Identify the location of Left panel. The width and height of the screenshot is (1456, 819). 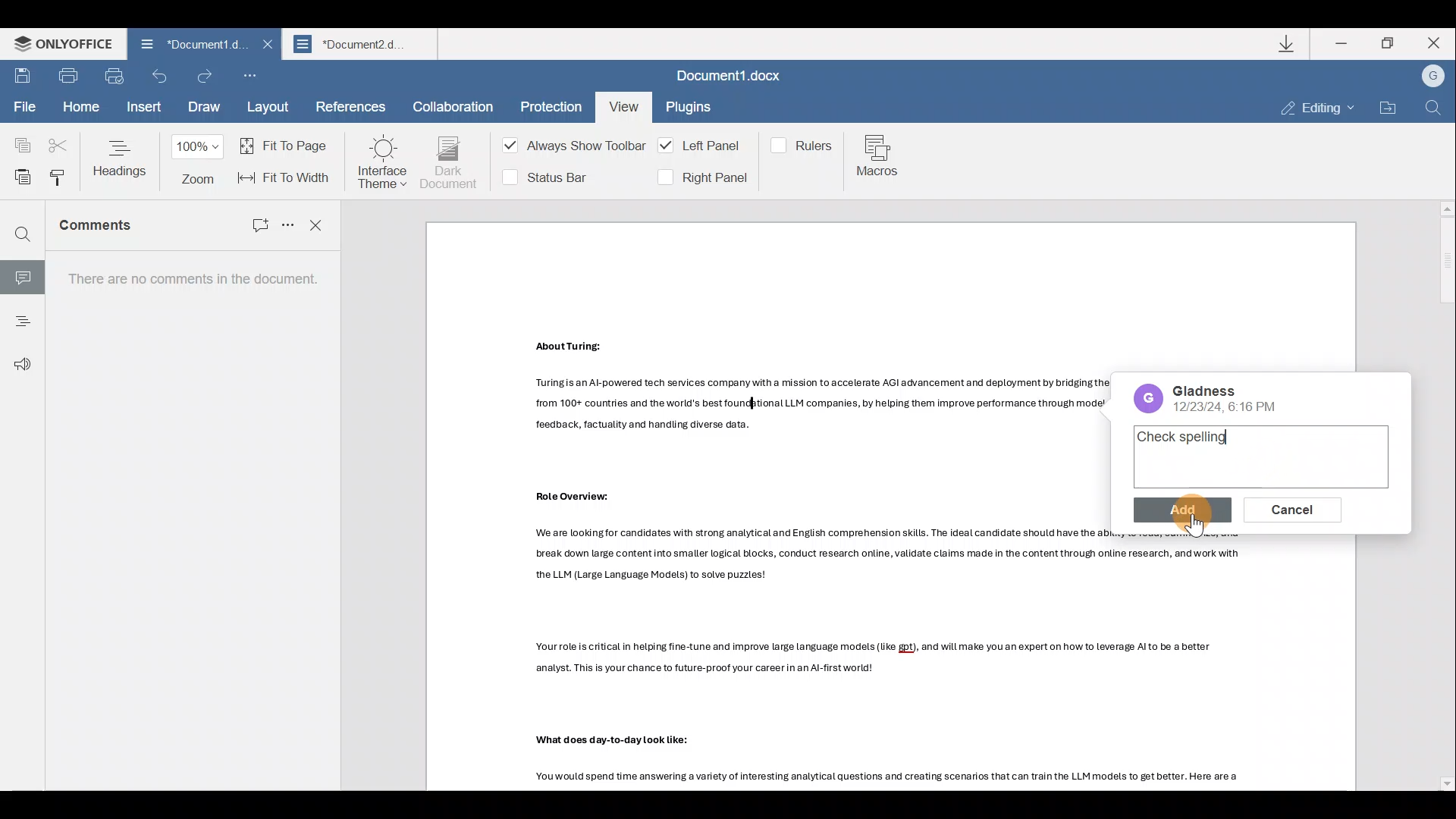
(702, 146).